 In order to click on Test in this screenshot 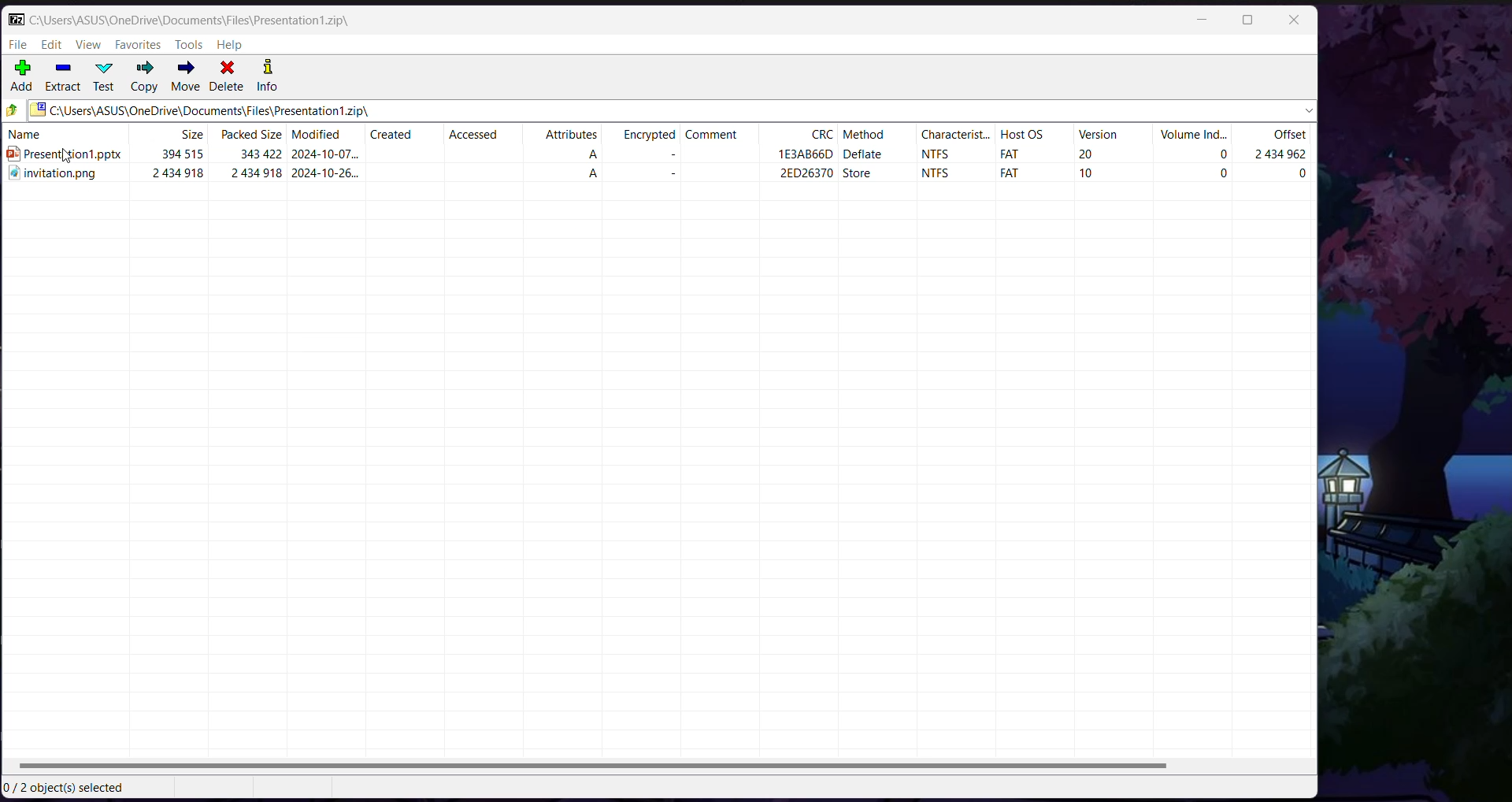, I will do `click(106, 77)`.